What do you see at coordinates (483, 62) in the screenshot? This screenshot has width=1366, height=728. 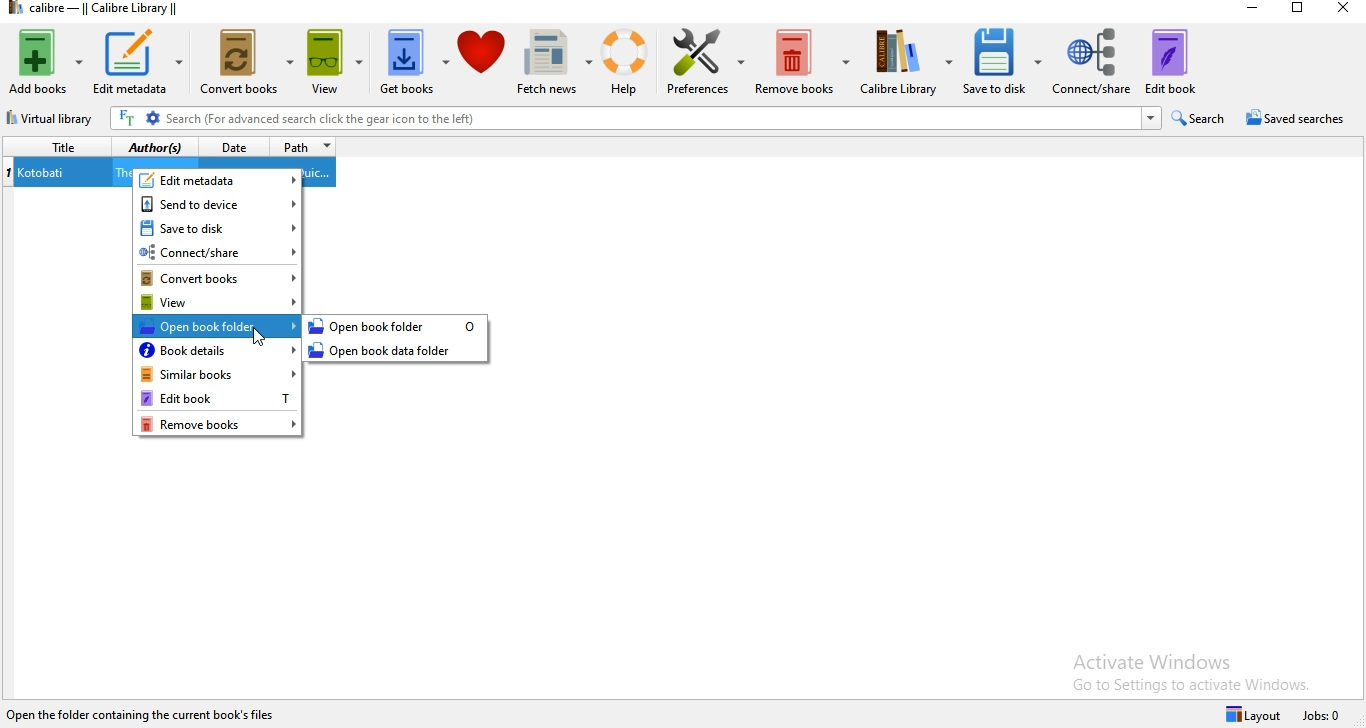 I see `donate to calibre` at bounding box center [483, 62].